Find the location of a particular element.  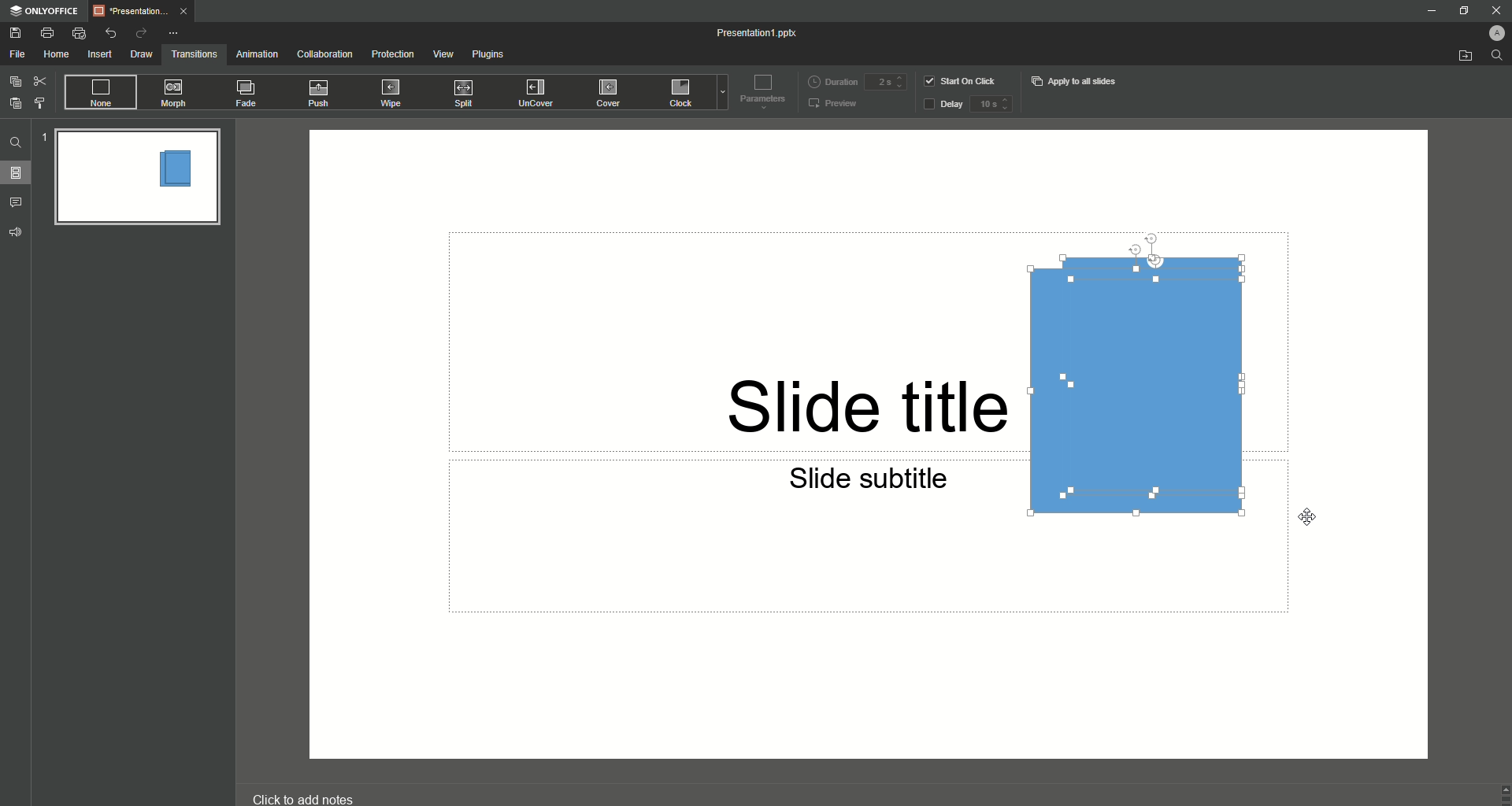

Comments is located at coordinates (19, 201).